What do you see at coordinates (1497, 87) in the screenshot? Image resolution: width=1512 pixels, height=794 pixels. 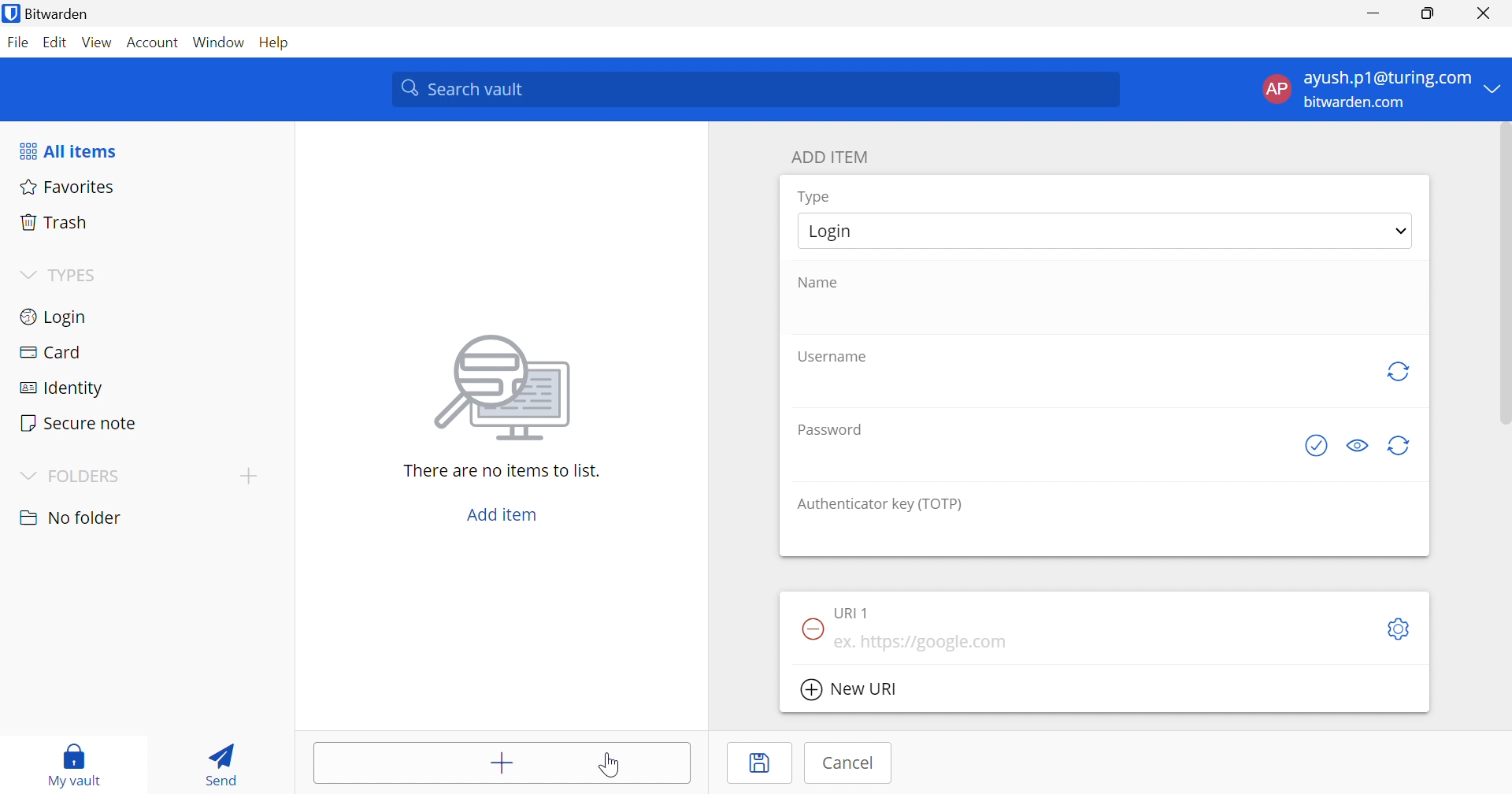 I see `Drop Down` at bounding box center [1497, 87].